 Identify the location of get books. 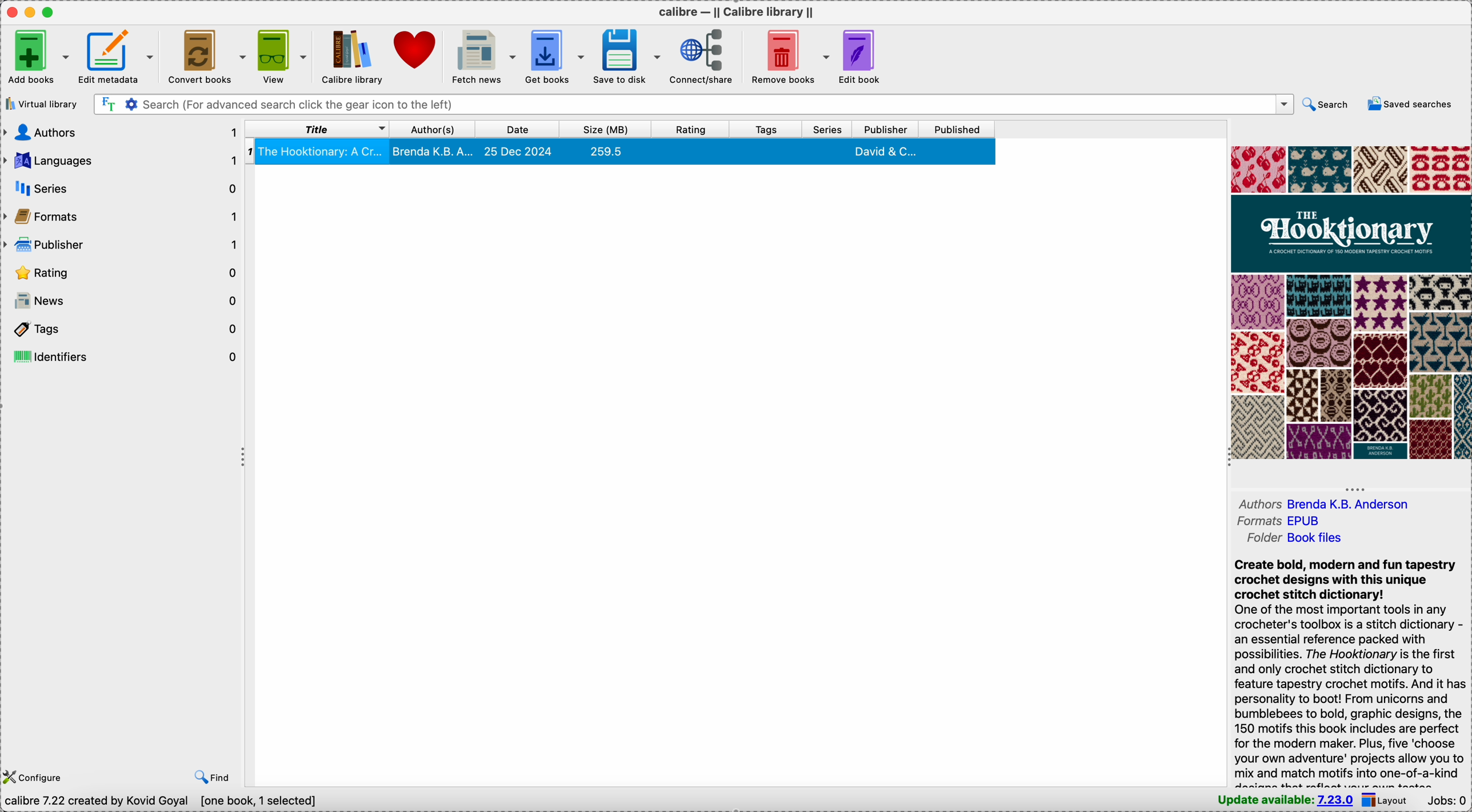
(555, 55).